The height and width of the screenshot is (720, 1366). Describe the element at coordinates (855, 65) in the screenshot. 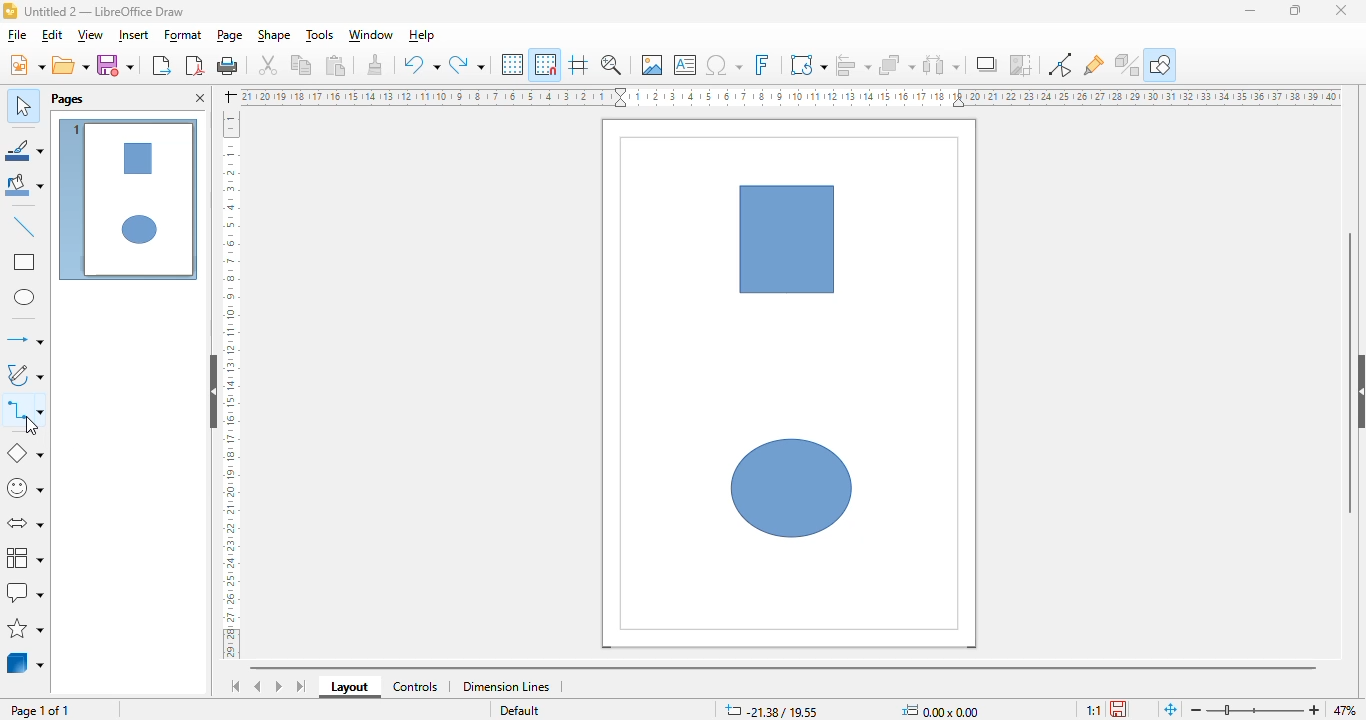

I see `align objects` at that location.